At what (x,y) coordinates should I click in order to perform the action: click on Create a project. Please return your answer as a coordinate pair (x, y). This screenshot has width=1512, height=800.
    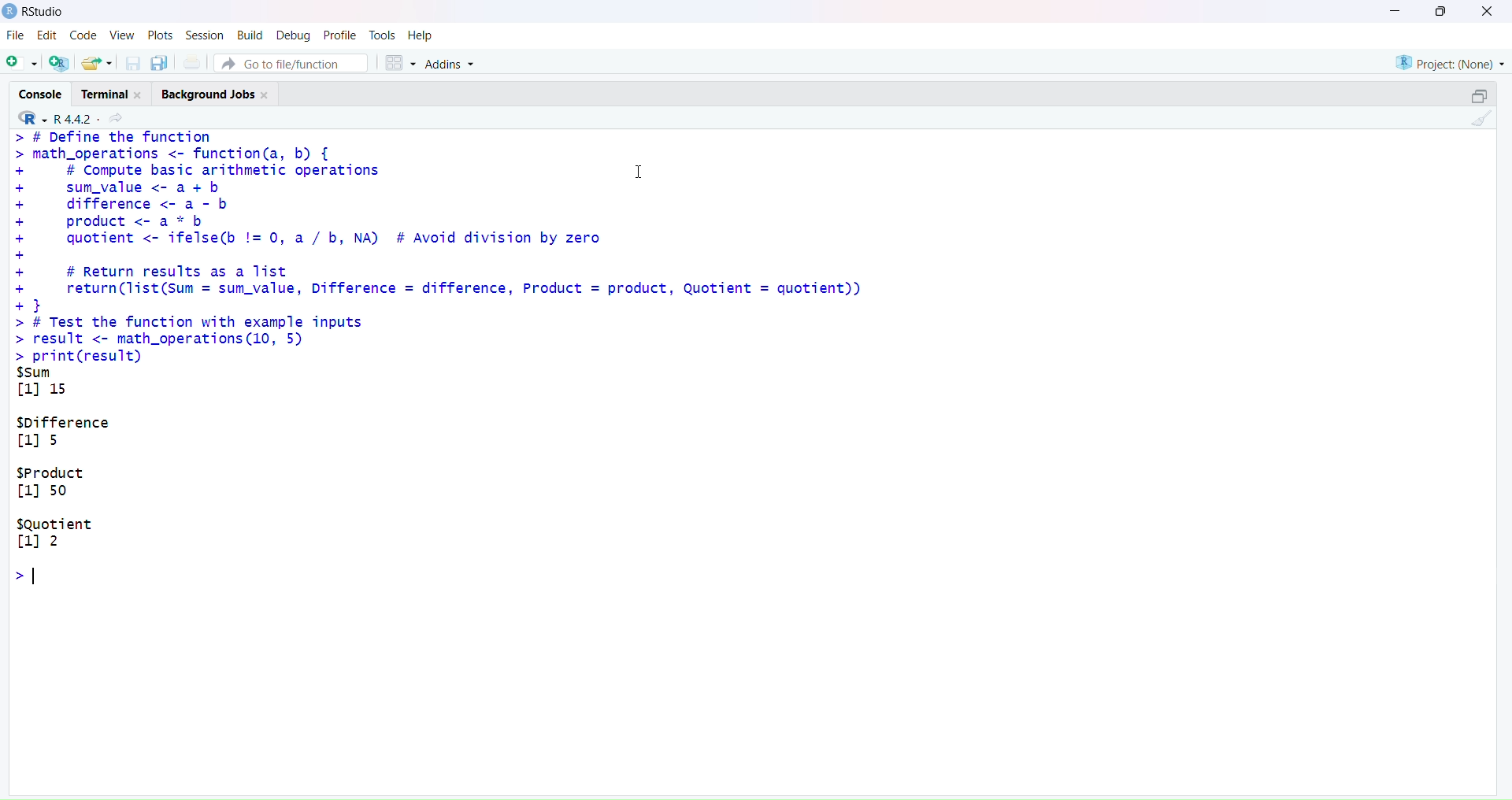
    Looking at the image, I should click on (57, 61).